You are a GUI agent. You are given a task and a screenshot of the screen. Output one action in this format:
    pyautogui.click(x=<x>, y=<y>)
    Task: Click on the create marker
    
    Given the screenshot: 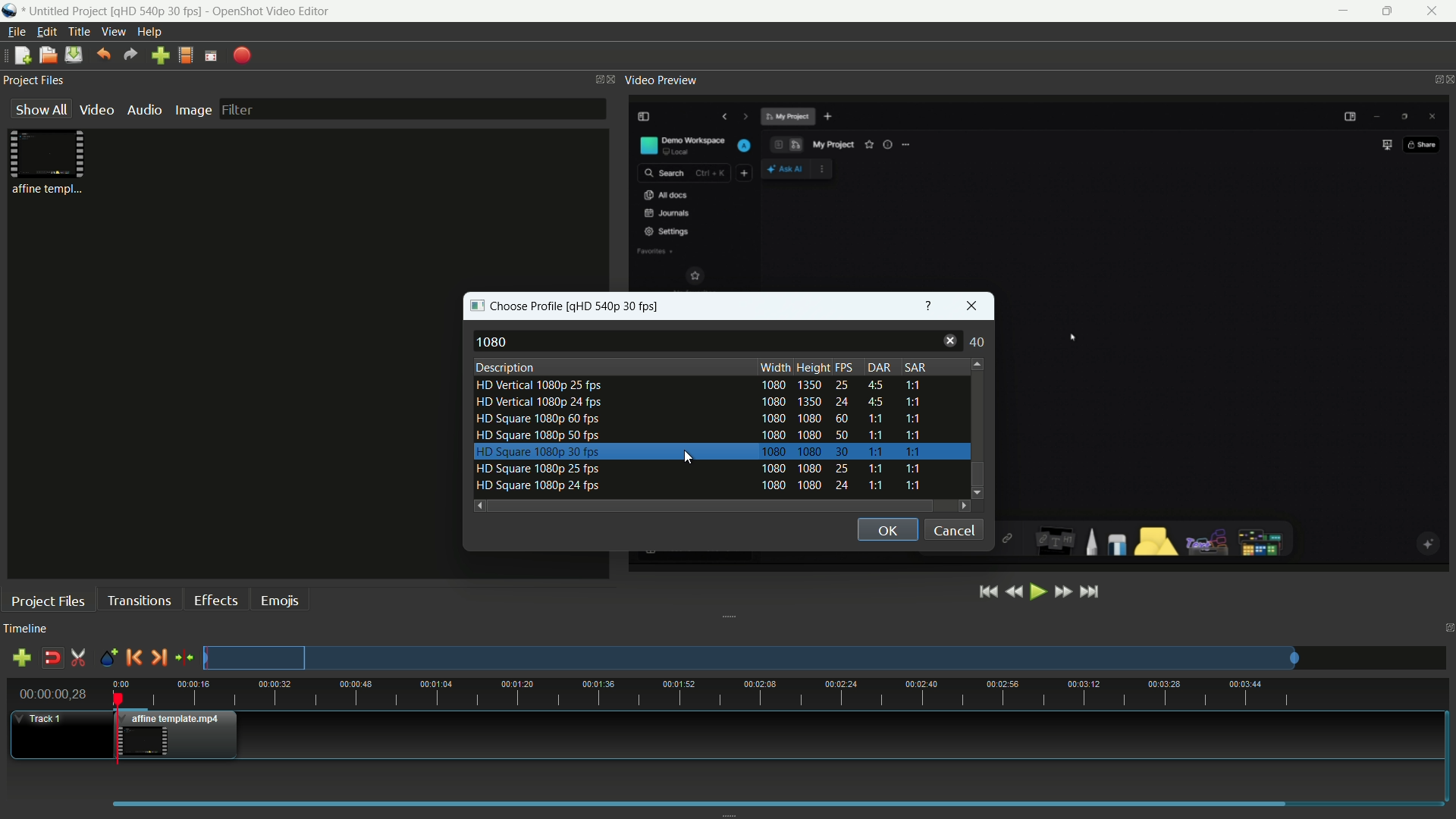 What is the action you would take?
    pyautogui.click(x=108, y=659)
    